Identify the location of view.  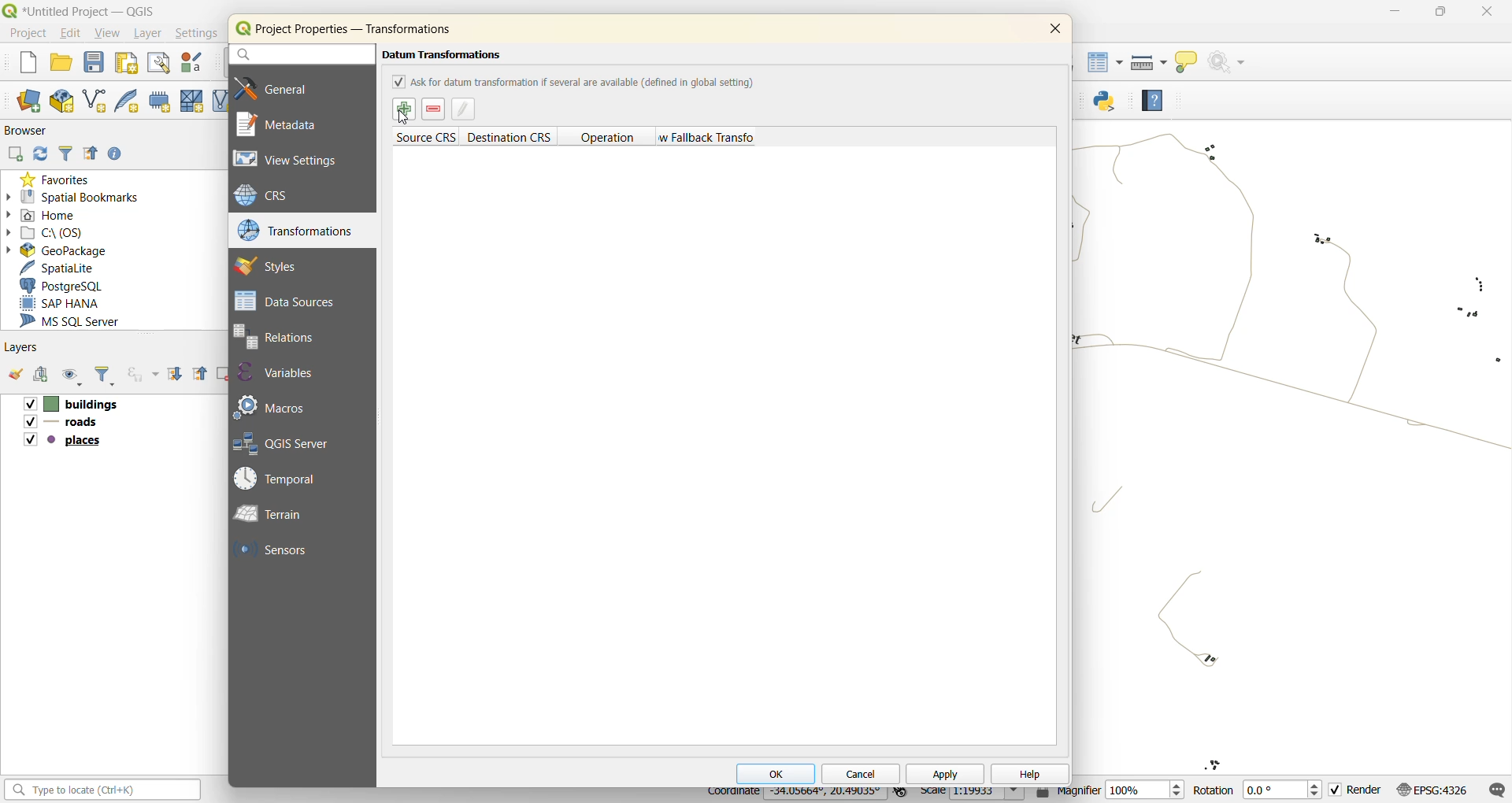
(109, 34).